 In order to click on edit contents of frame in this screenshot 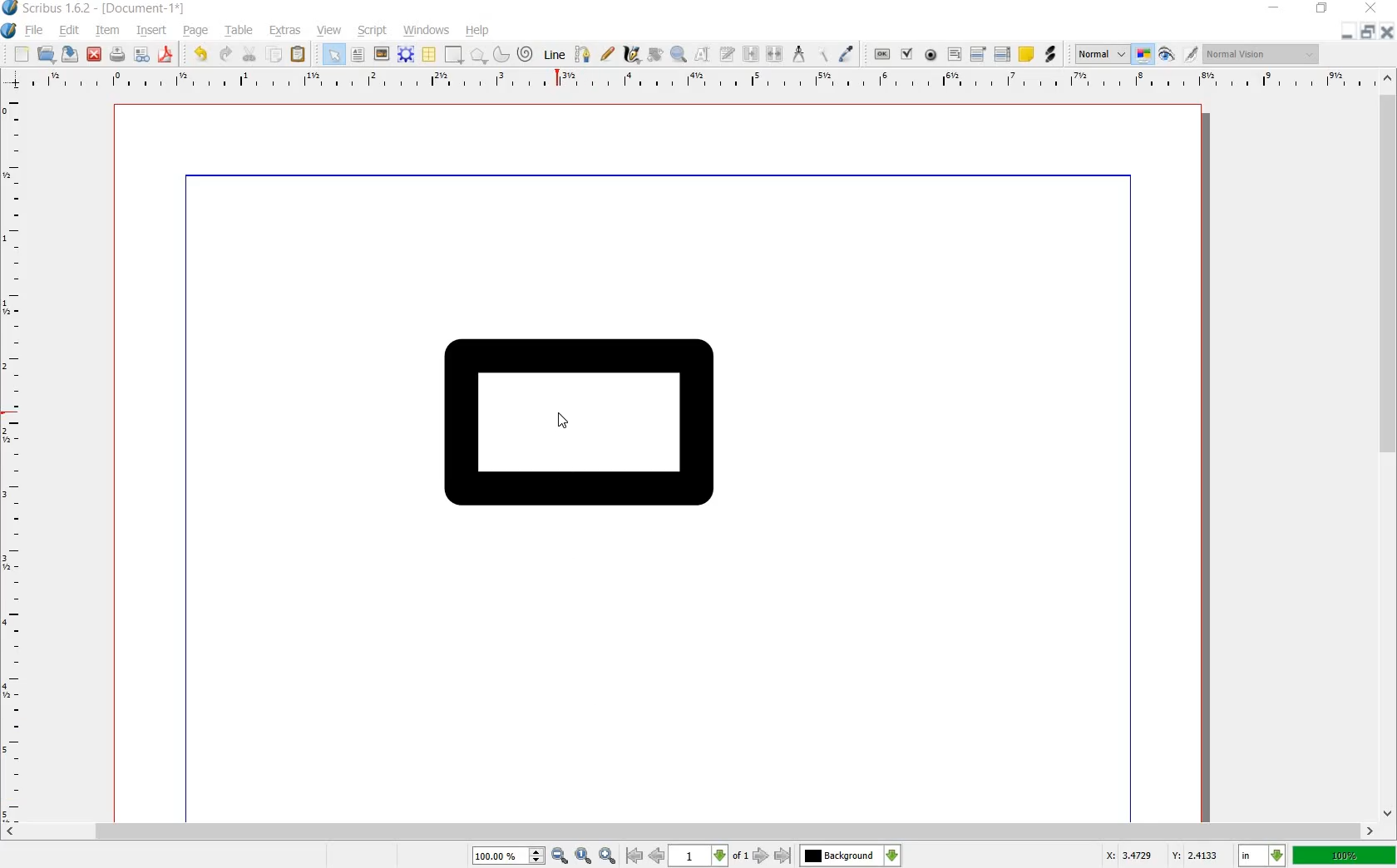, I will do `click(702, 56)`.